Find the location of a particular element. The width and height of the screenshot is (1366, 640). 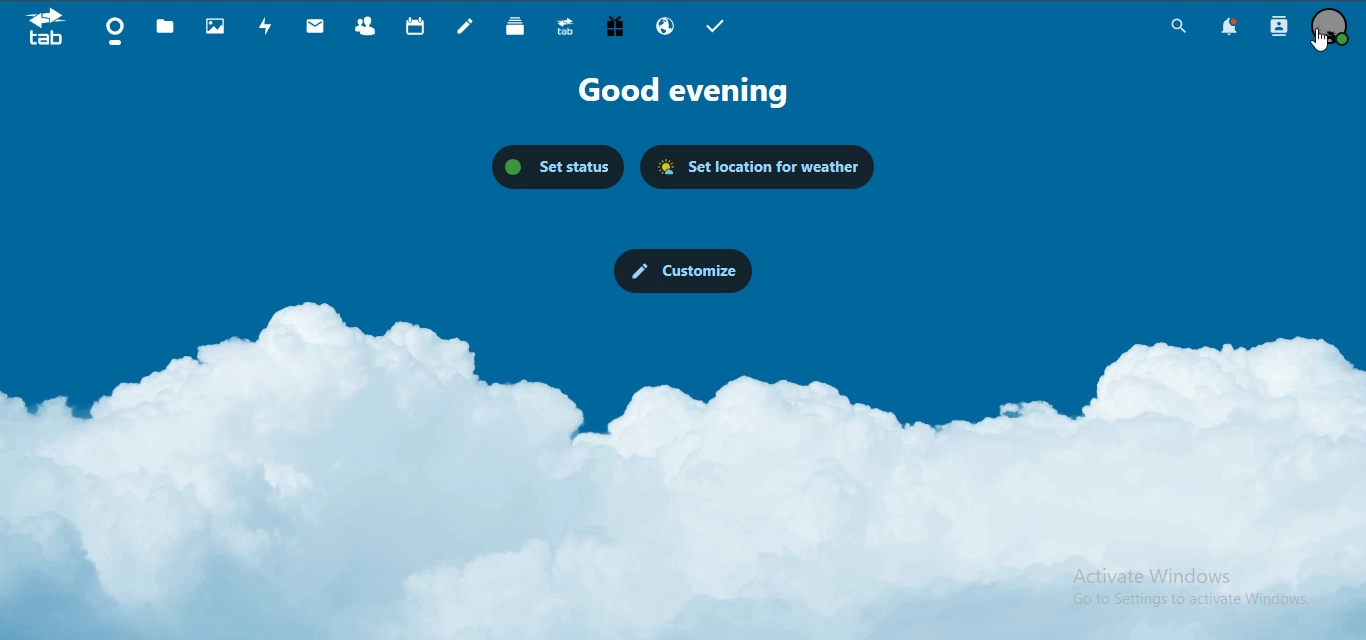

activity is located at coordinates (269, 26).